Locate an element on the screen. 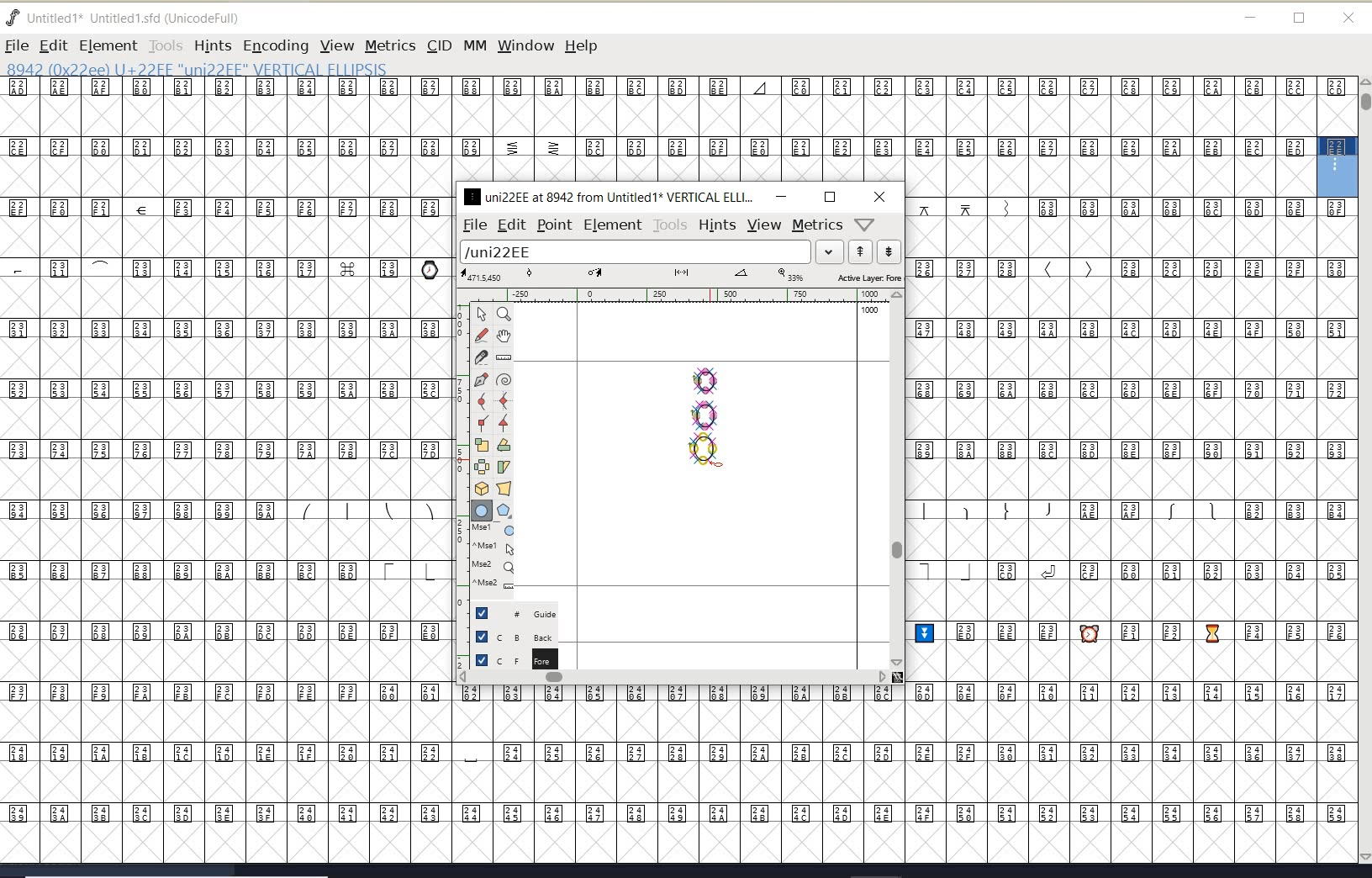 Image resolution: width=1372 pixels, height=878 pixels. FILE is located at coordinates (16, 46).